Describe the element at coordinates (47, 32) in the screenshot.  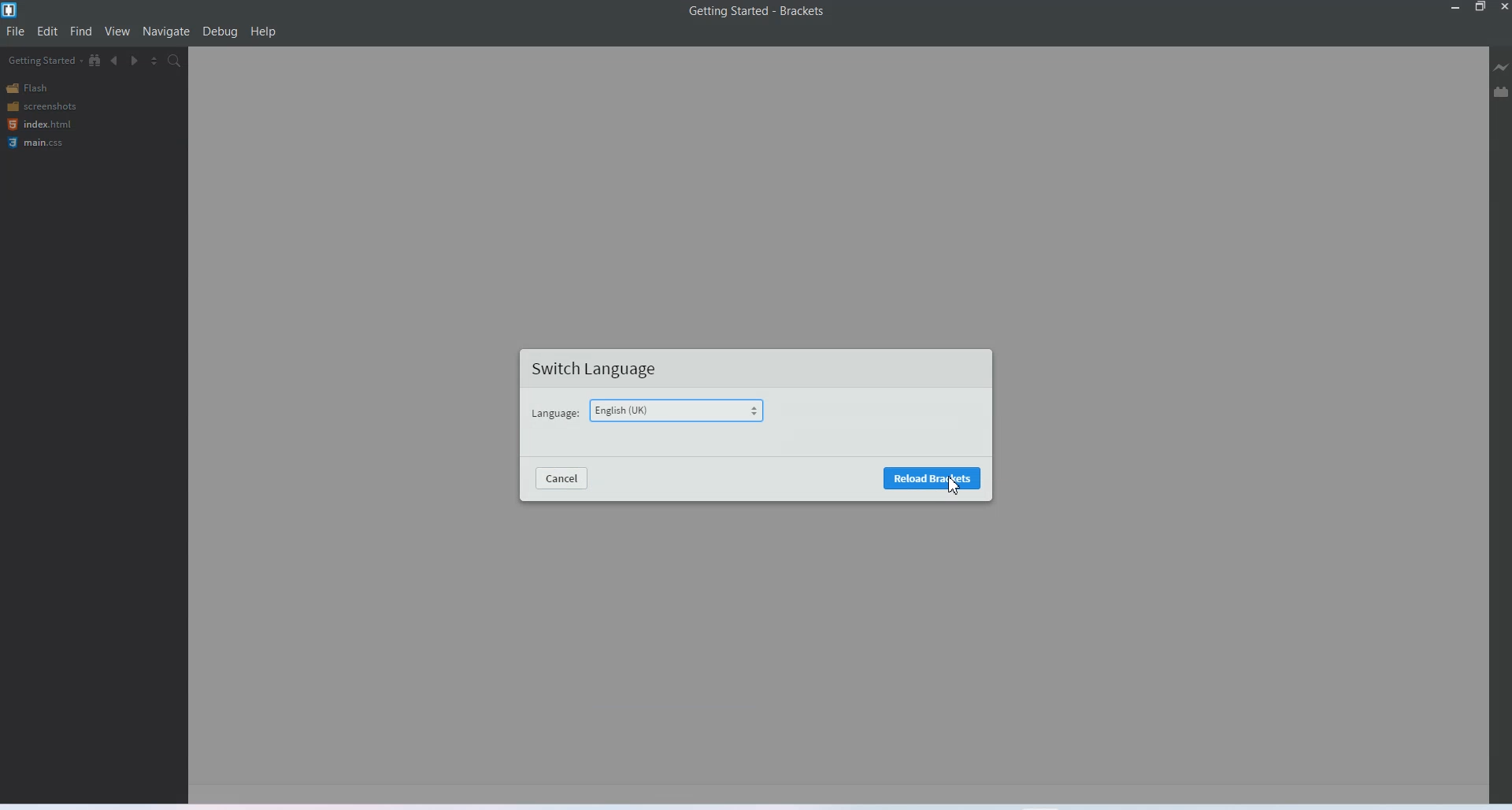
I see `Edit` at that location.